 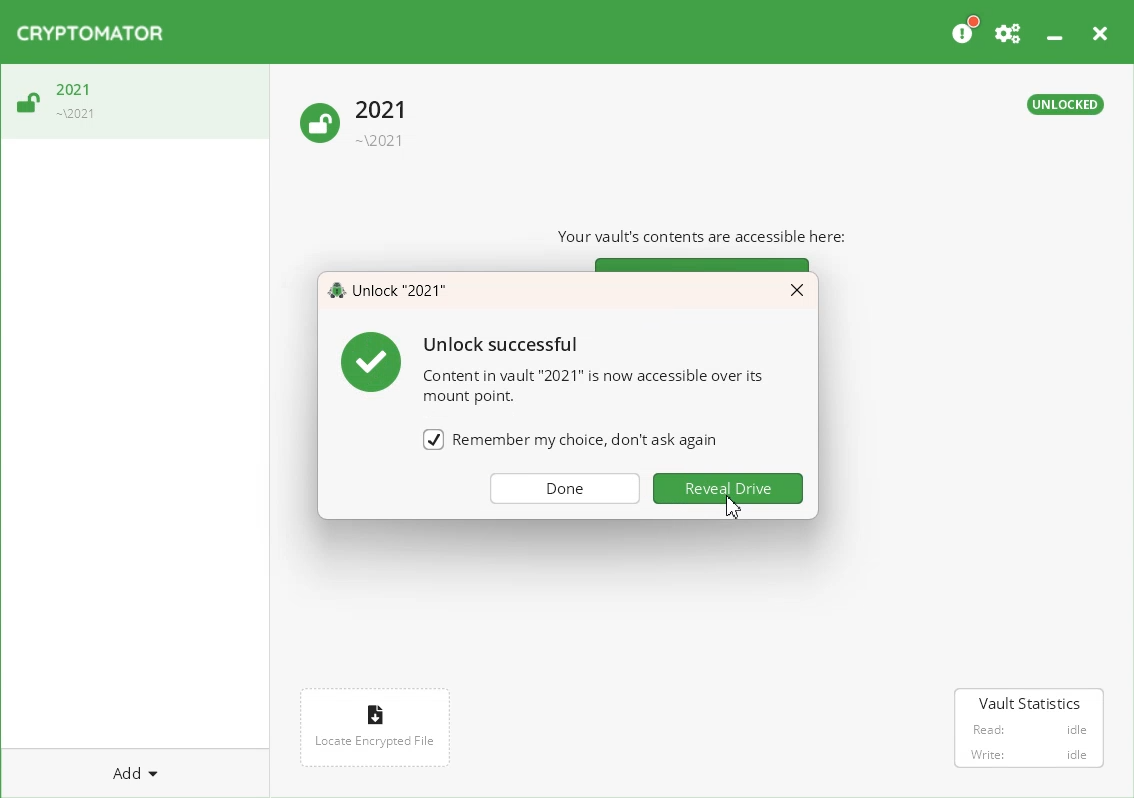 What do you see at coordinates (733, 506) in the screenshot?
I see `Cursor` at bounding box center [733, 506].